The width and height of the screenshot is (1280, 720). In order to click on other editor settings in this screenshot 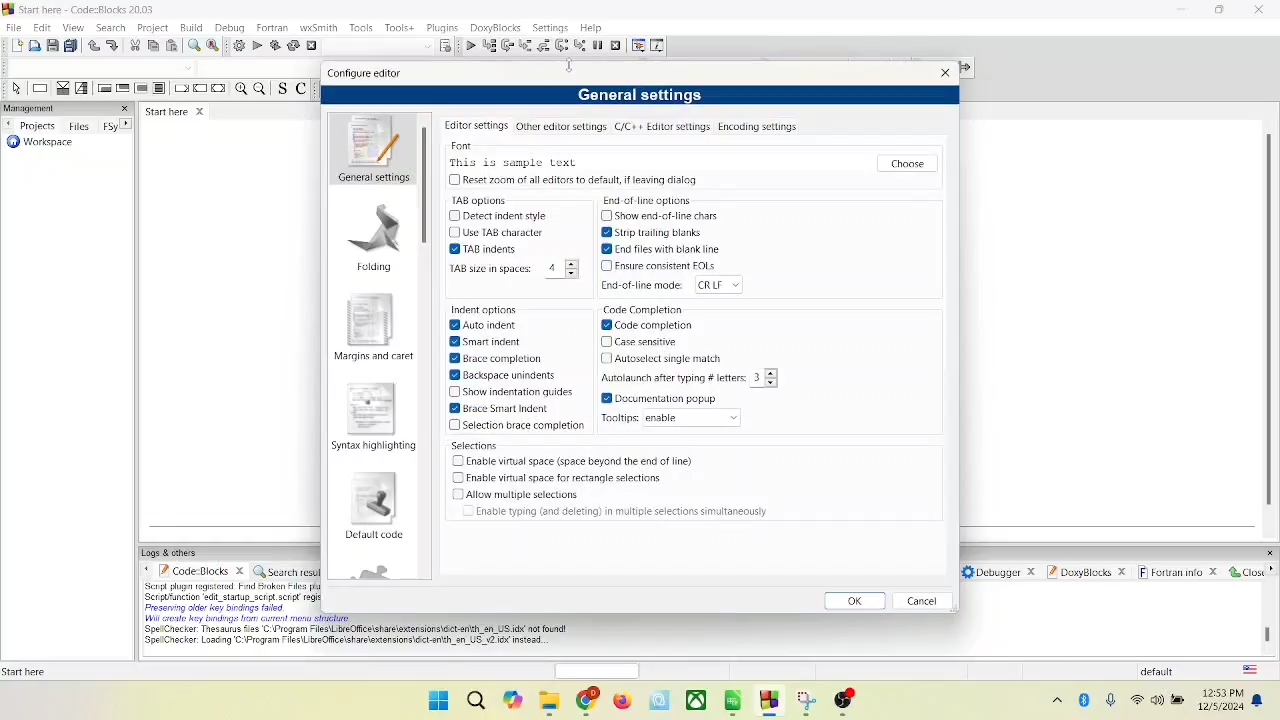, I will do `click(562, 126)`.